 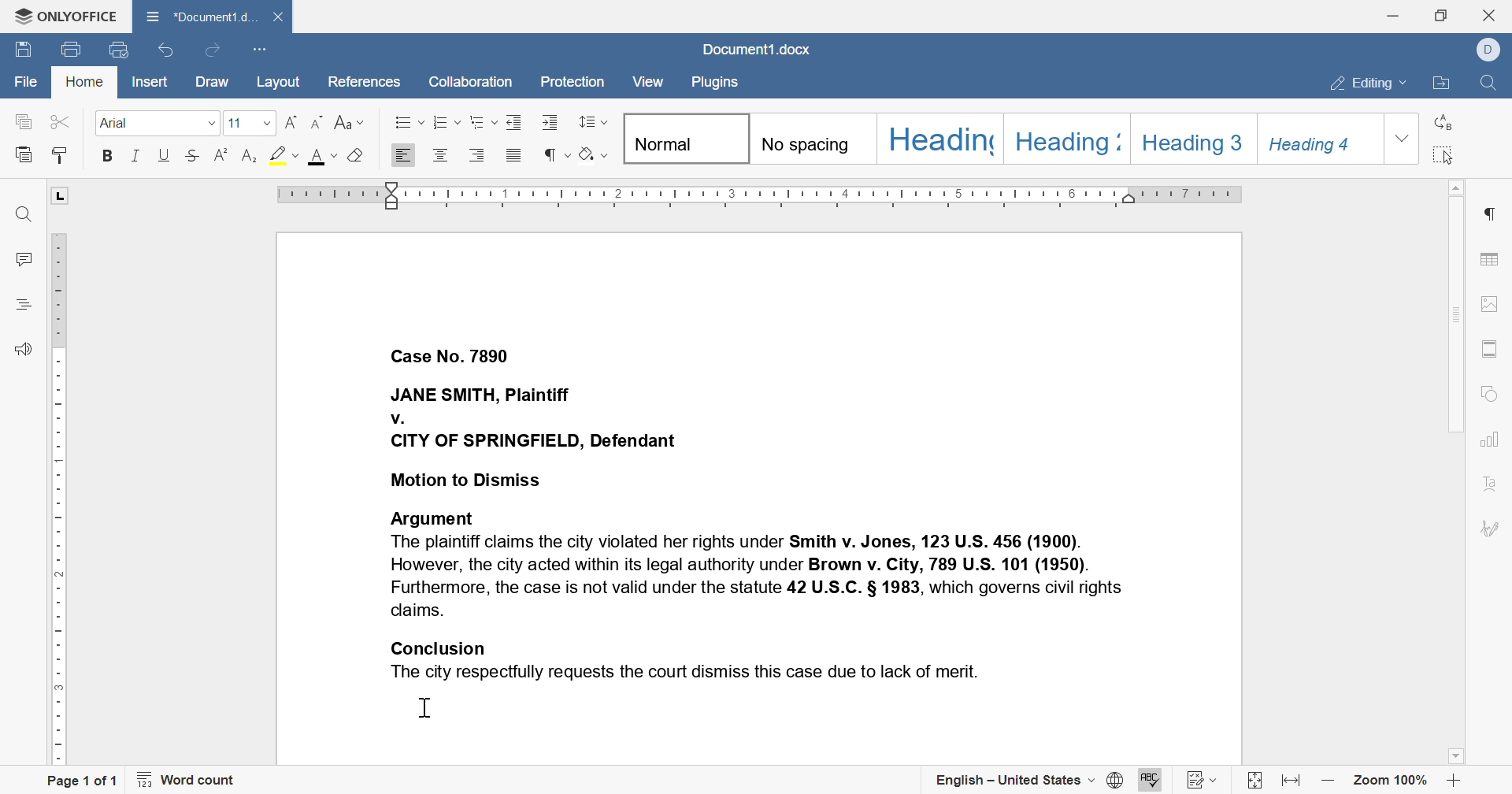 I want to click on page 1 of 1, so click(x=88, y=780).